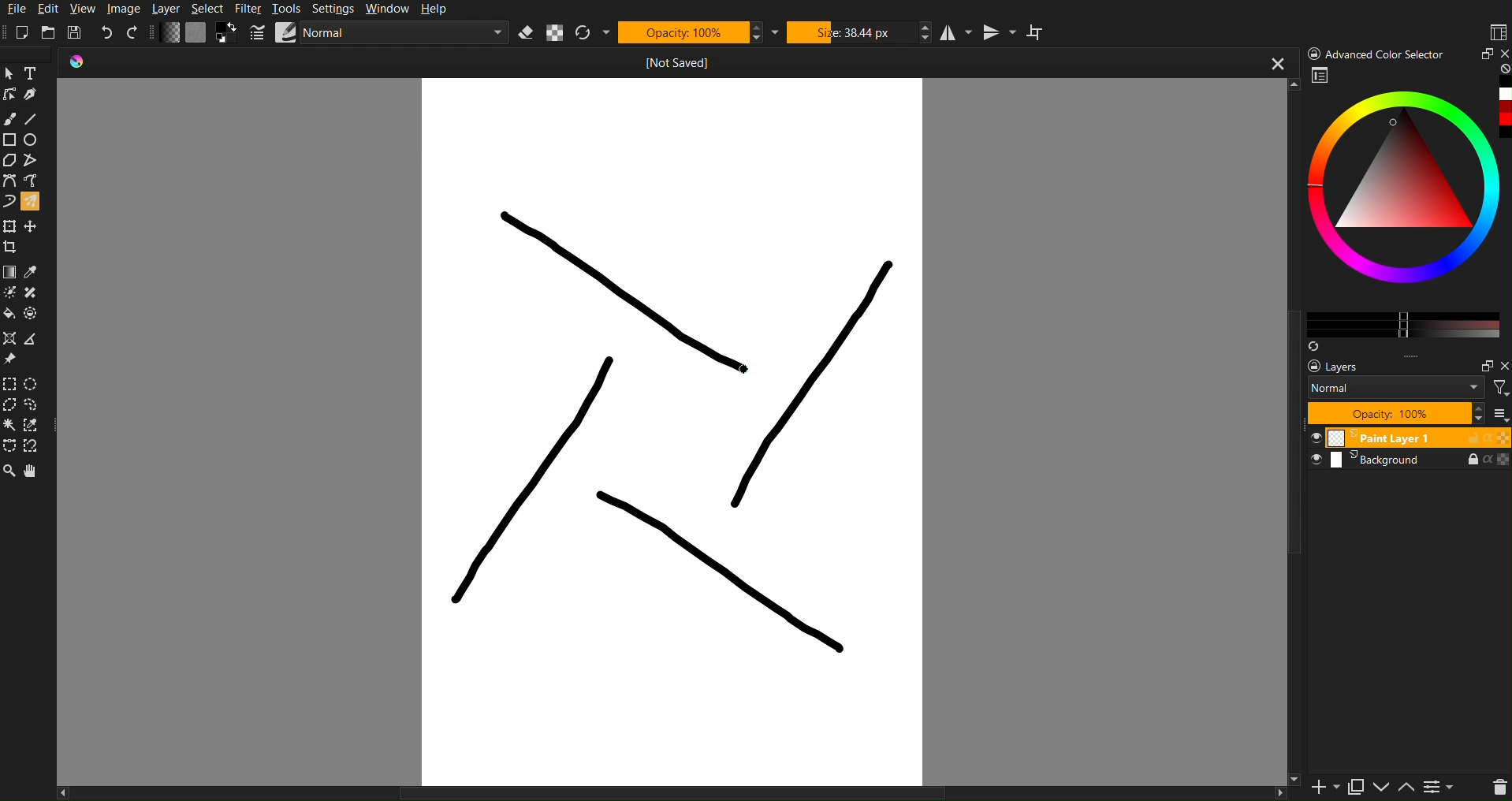  What do you see at coordinates (196, 33) in the screenshot?
I see `Texture` at bounding box center [196, 33].